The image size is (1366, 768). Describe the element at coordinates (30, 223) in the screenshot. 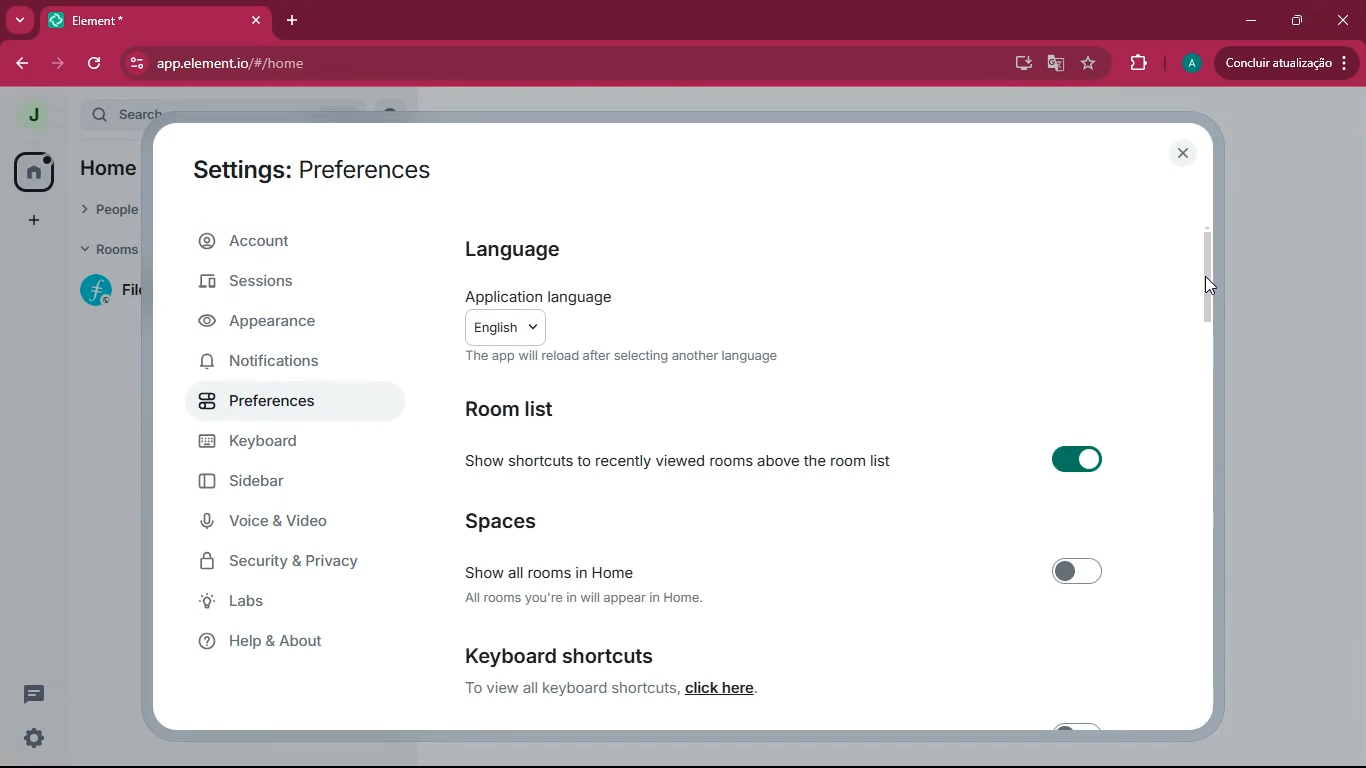

I see `add` at that location.